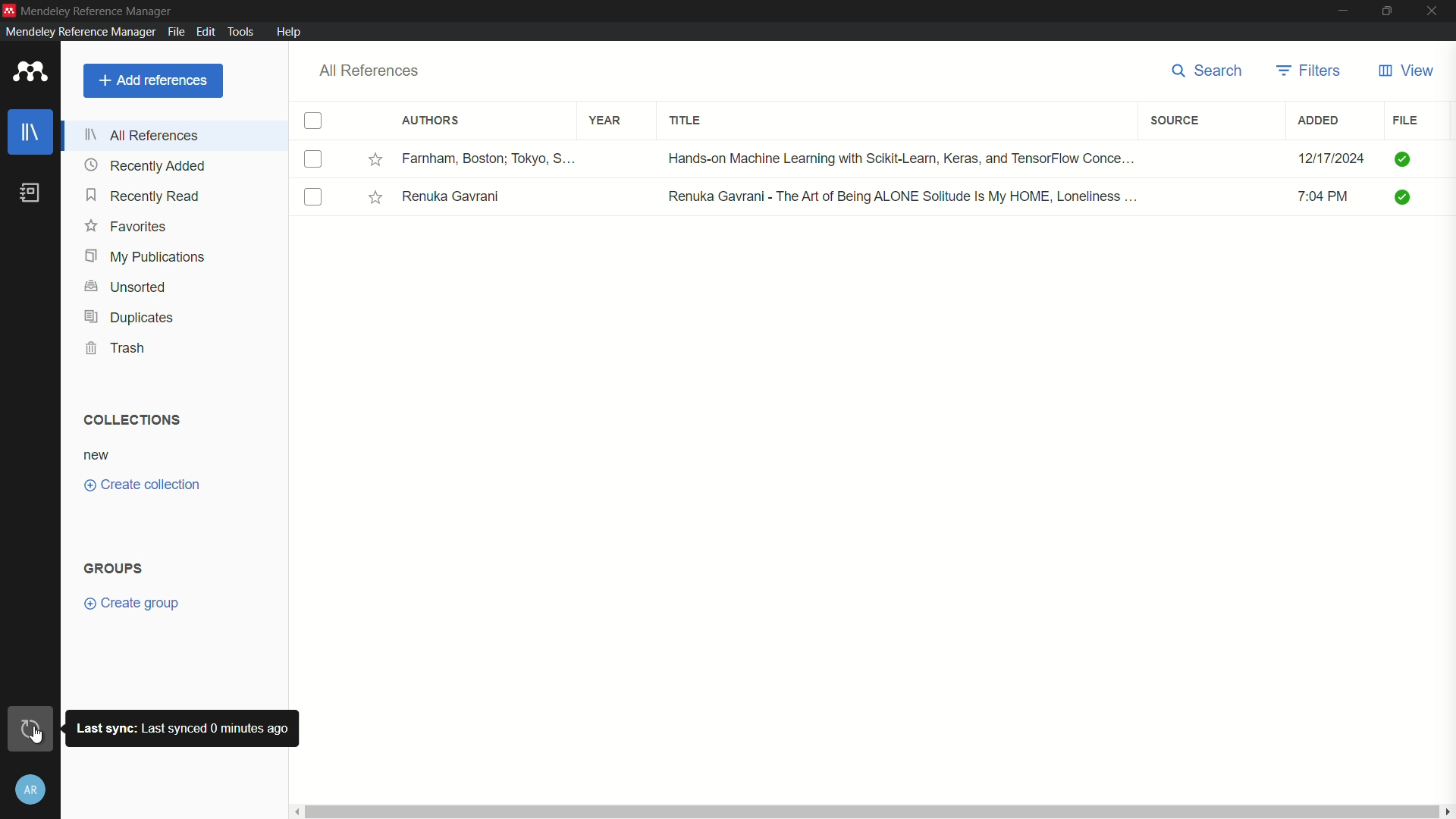 This screenshot has height=819, width=1456. Describe the element at coordinates (78, 31) in the screenshot. I see `mendeley reference manager` at that location.